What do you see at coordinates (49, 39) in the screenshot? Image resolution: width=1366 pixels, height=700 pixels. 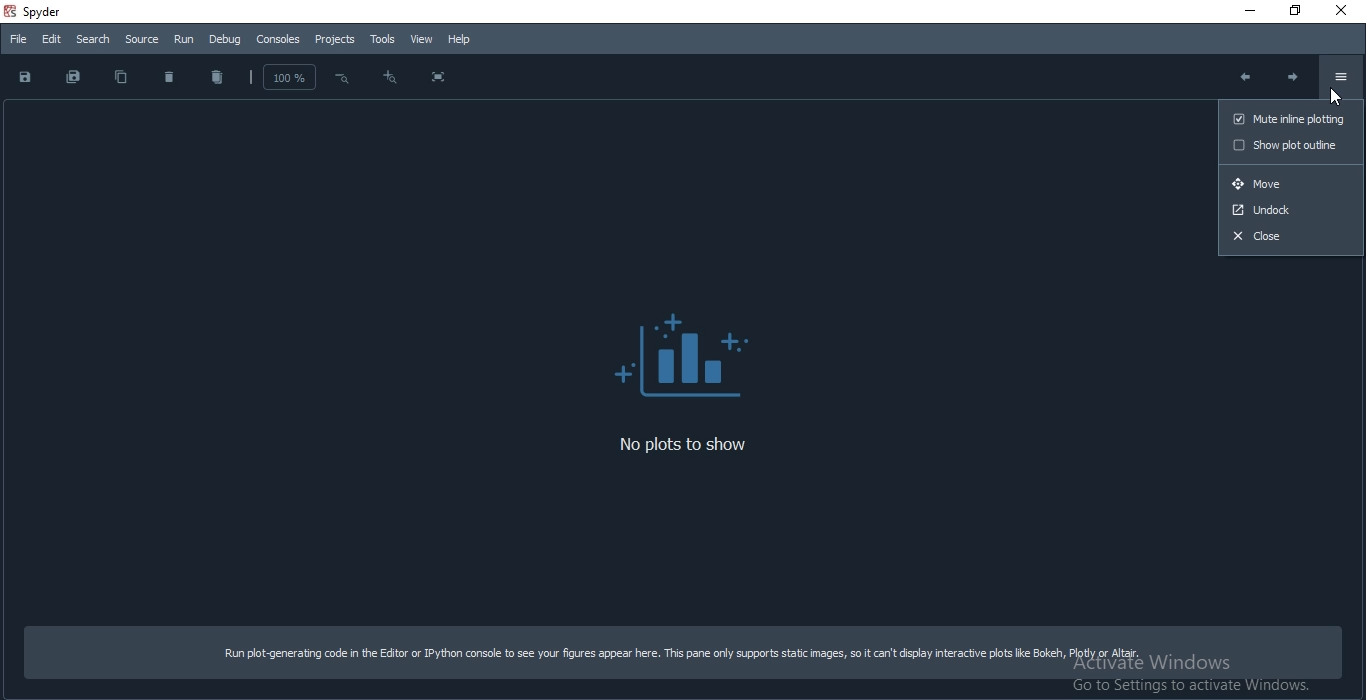 I see `Edit` at bounding box center [49, 39].